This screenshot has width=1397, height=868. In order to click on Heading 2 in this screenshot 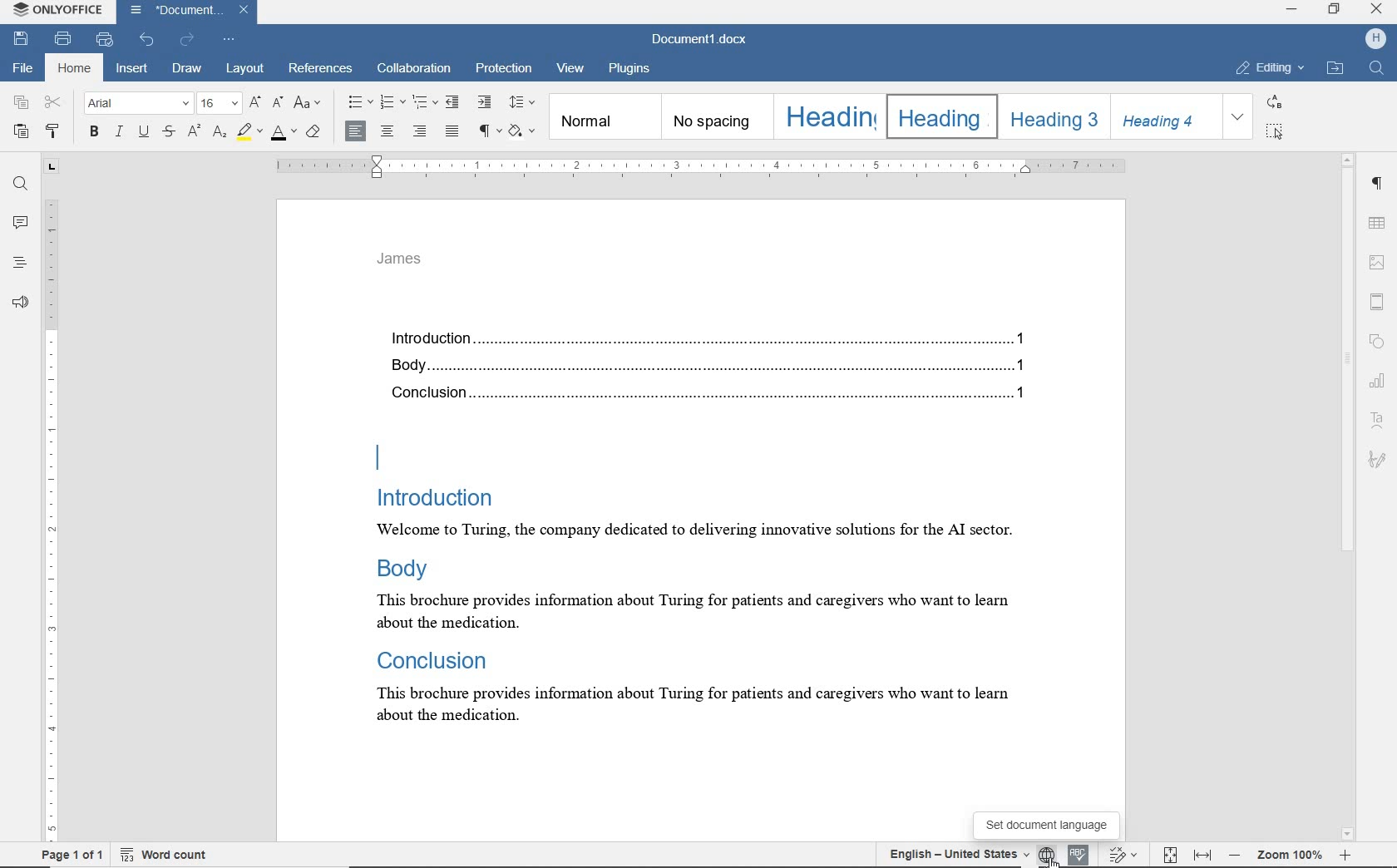, I will do `click(938, 116)`.